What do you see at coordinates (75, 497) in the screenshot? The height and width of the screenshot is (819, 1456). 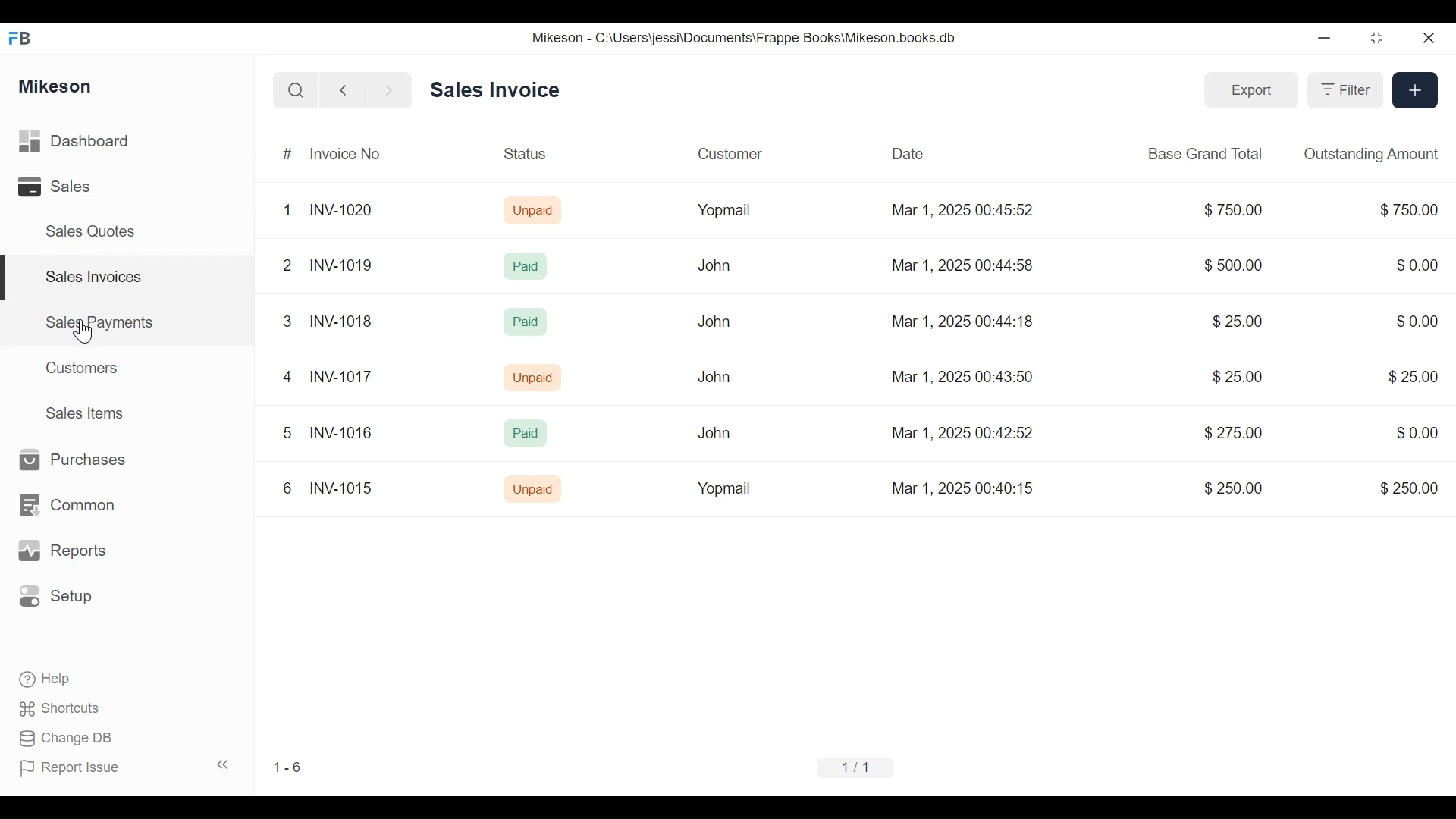 I see `Common` at bounding box center [75, 497].